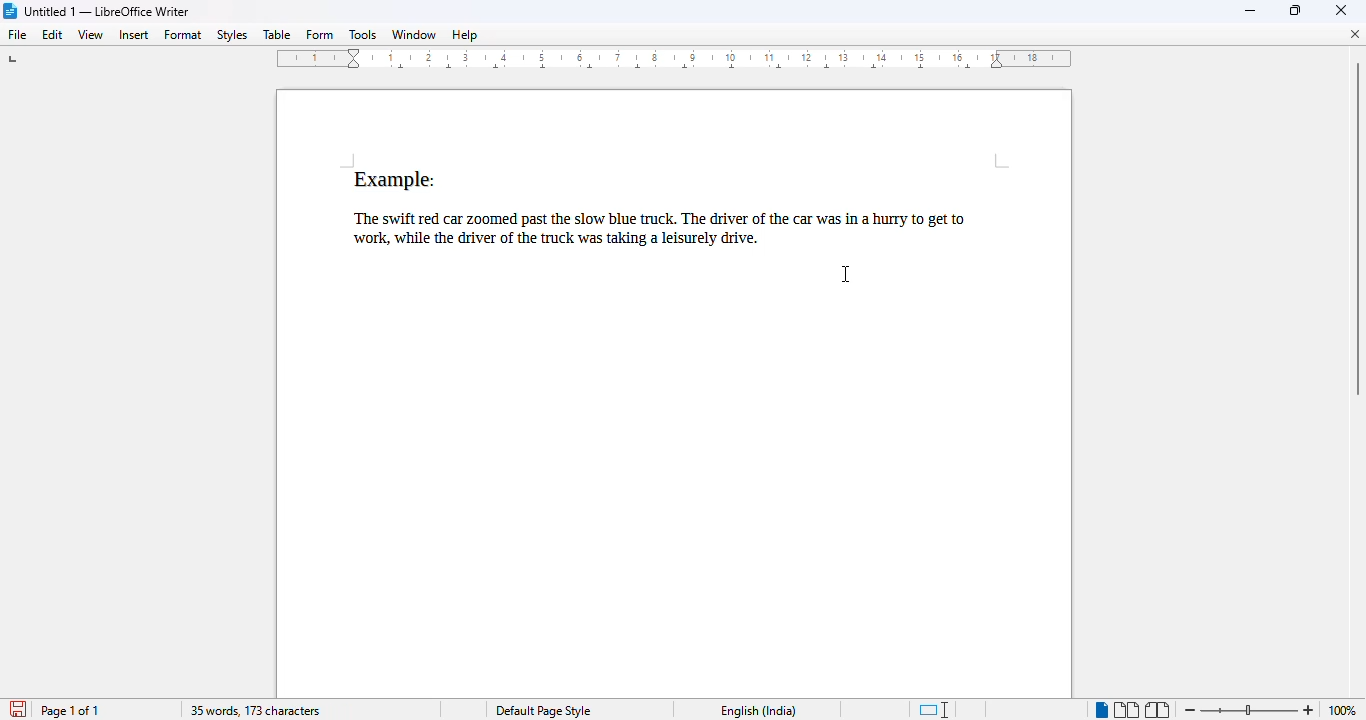 The width and height of the screenshot is (1366, 720). Describe the element at coordinates (933, 710) in the screenshot. I see `standard selection` at that location.